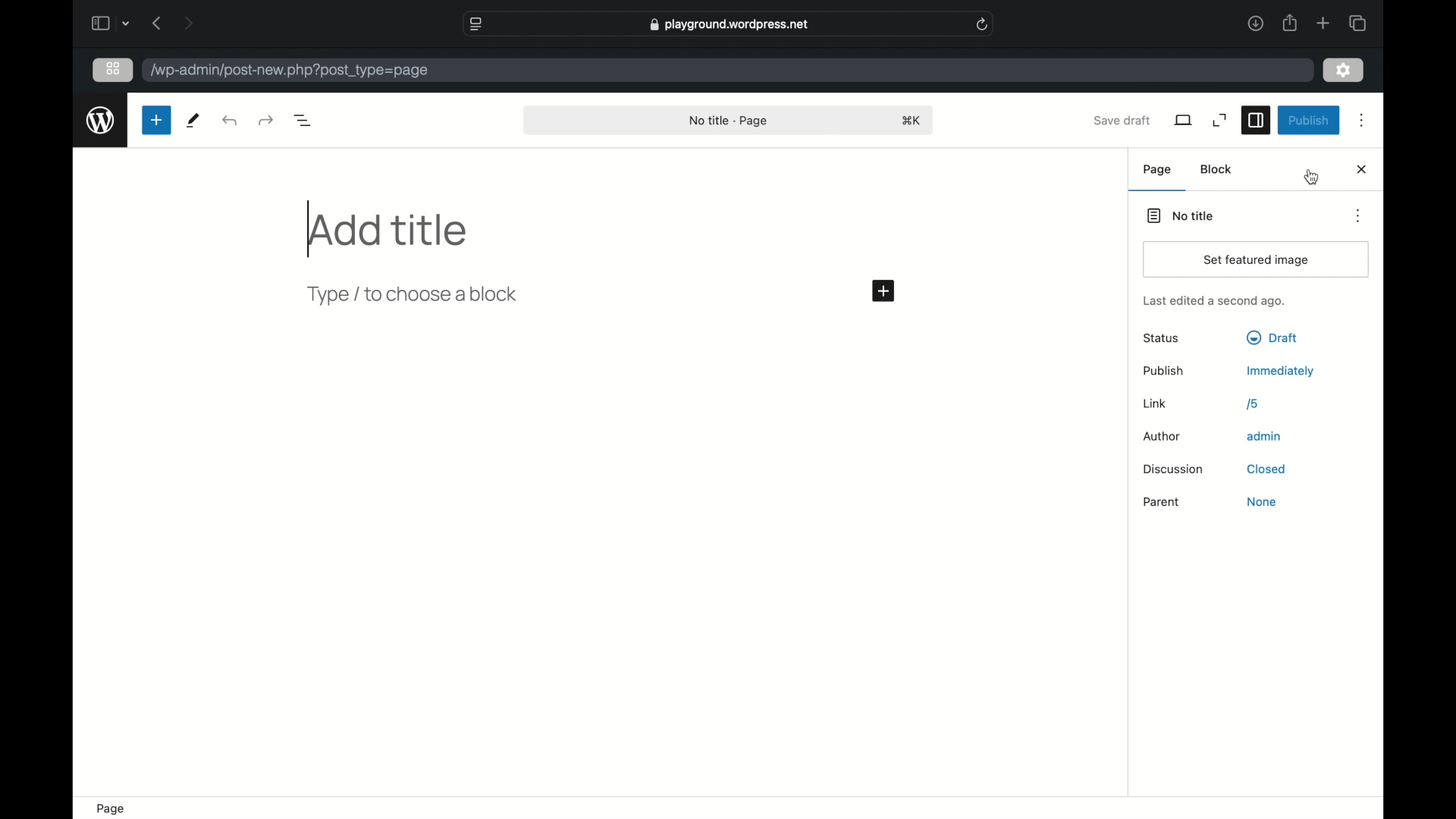 The image size is (1456, 819). What do you see at coordinates (157, 23) in the screenshot?
I see `previous page` at bounding box center [157, 23].